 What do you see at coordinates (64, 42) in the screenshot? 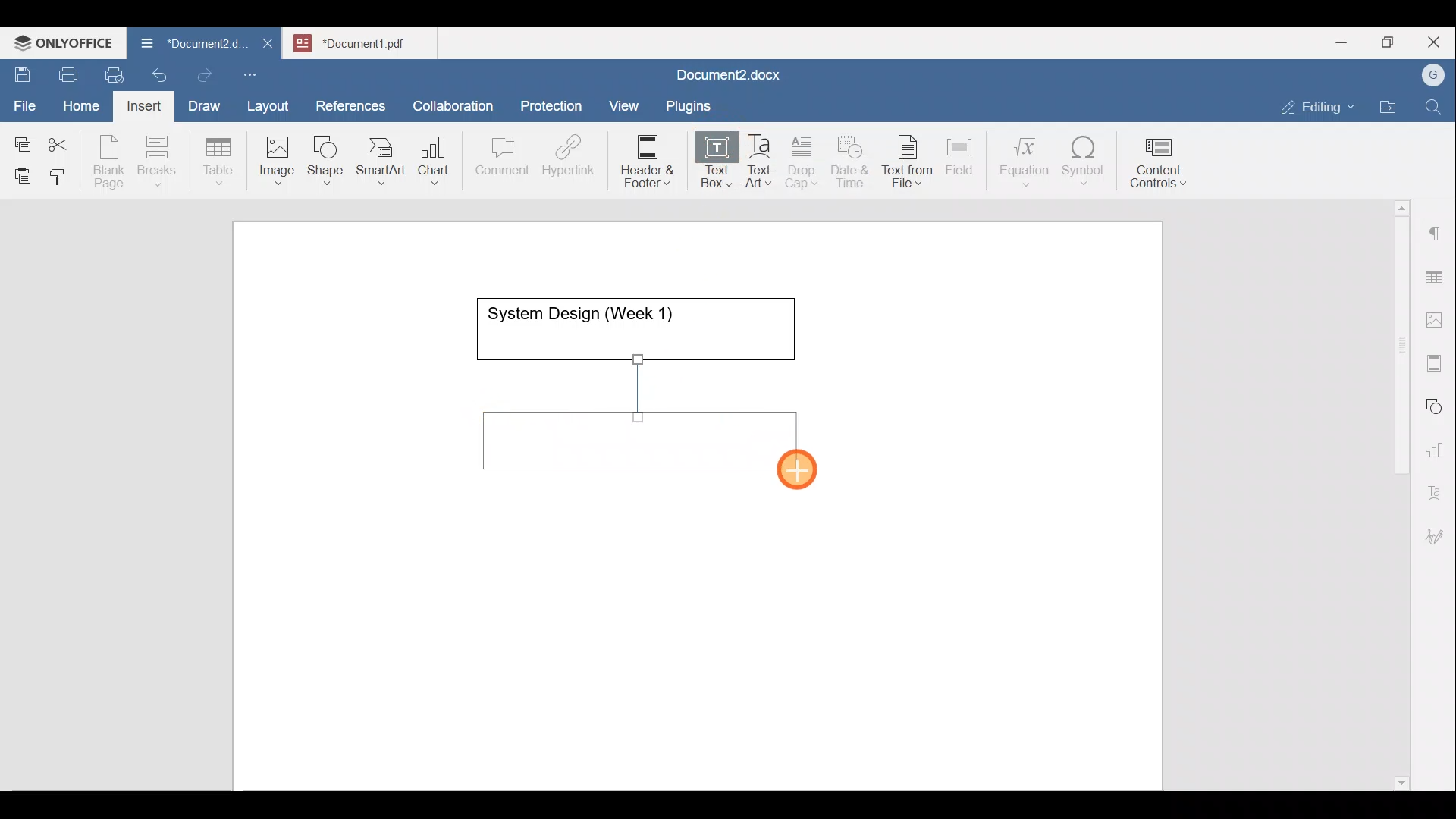
I see `ONLYOFFICE` at bounding box center [64, 42].